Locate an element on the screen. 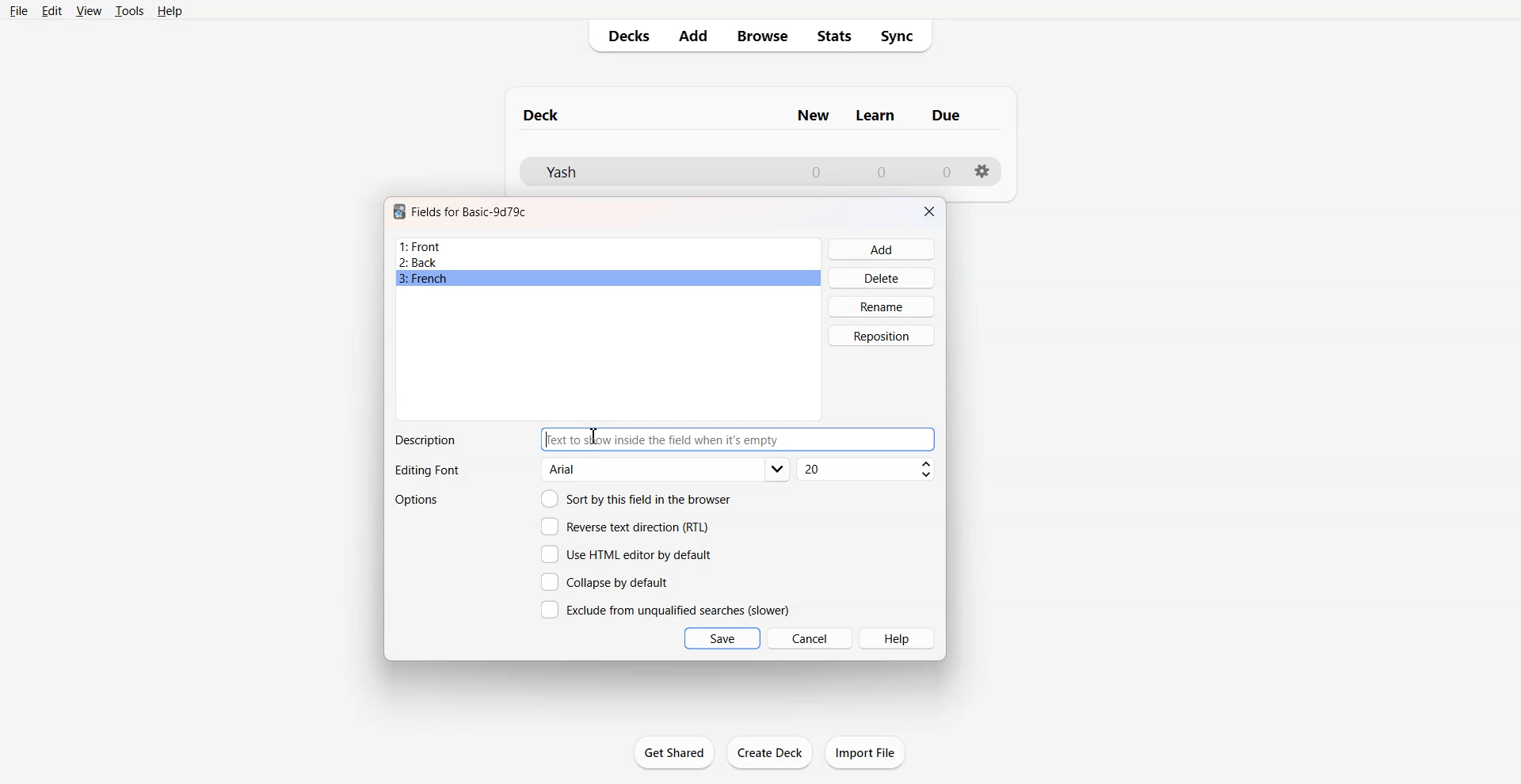 The height and width of the screenshot is (784, 1521). Help is located at coordinates (898, 638).